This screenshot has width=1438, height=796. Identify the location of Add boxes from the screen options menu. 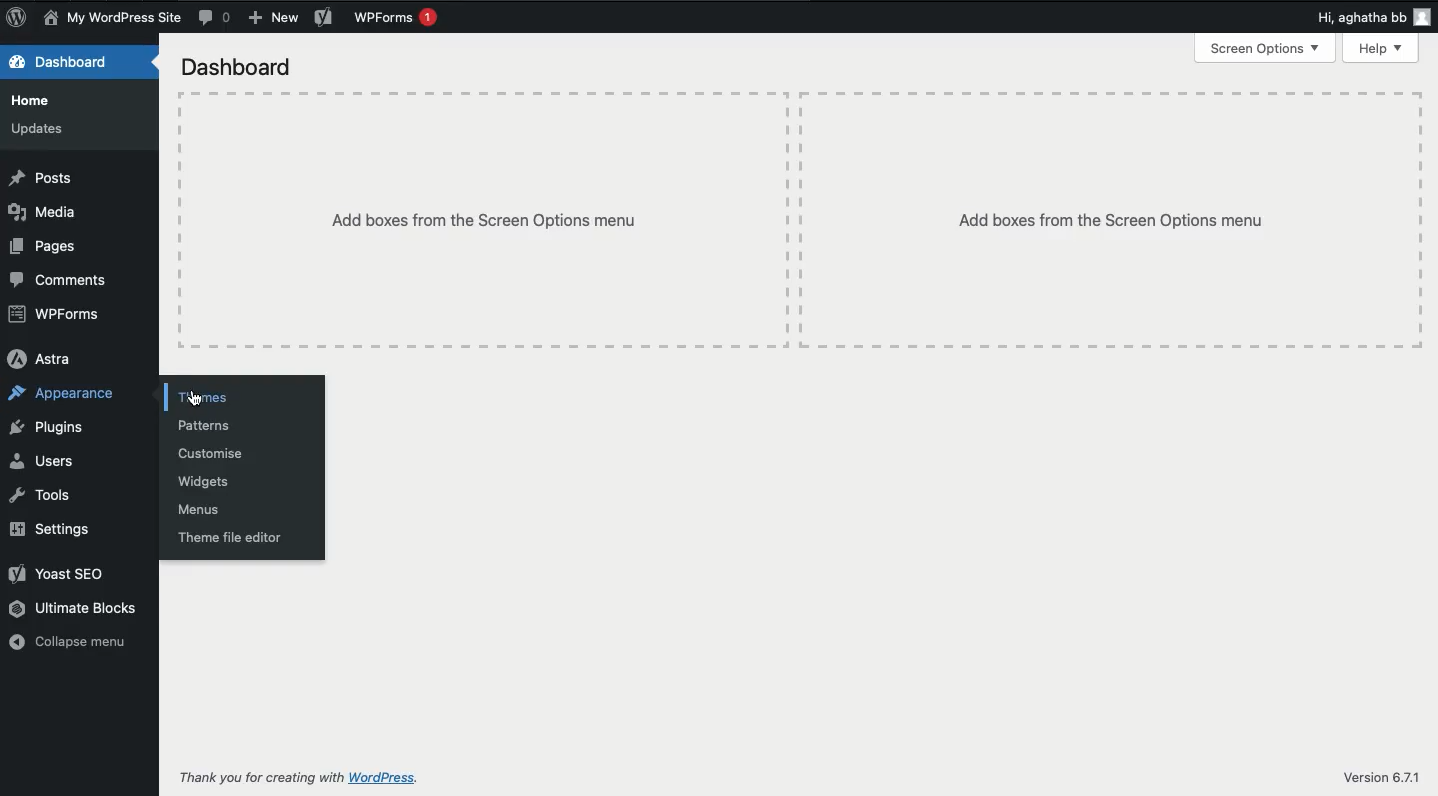
(483, 220).